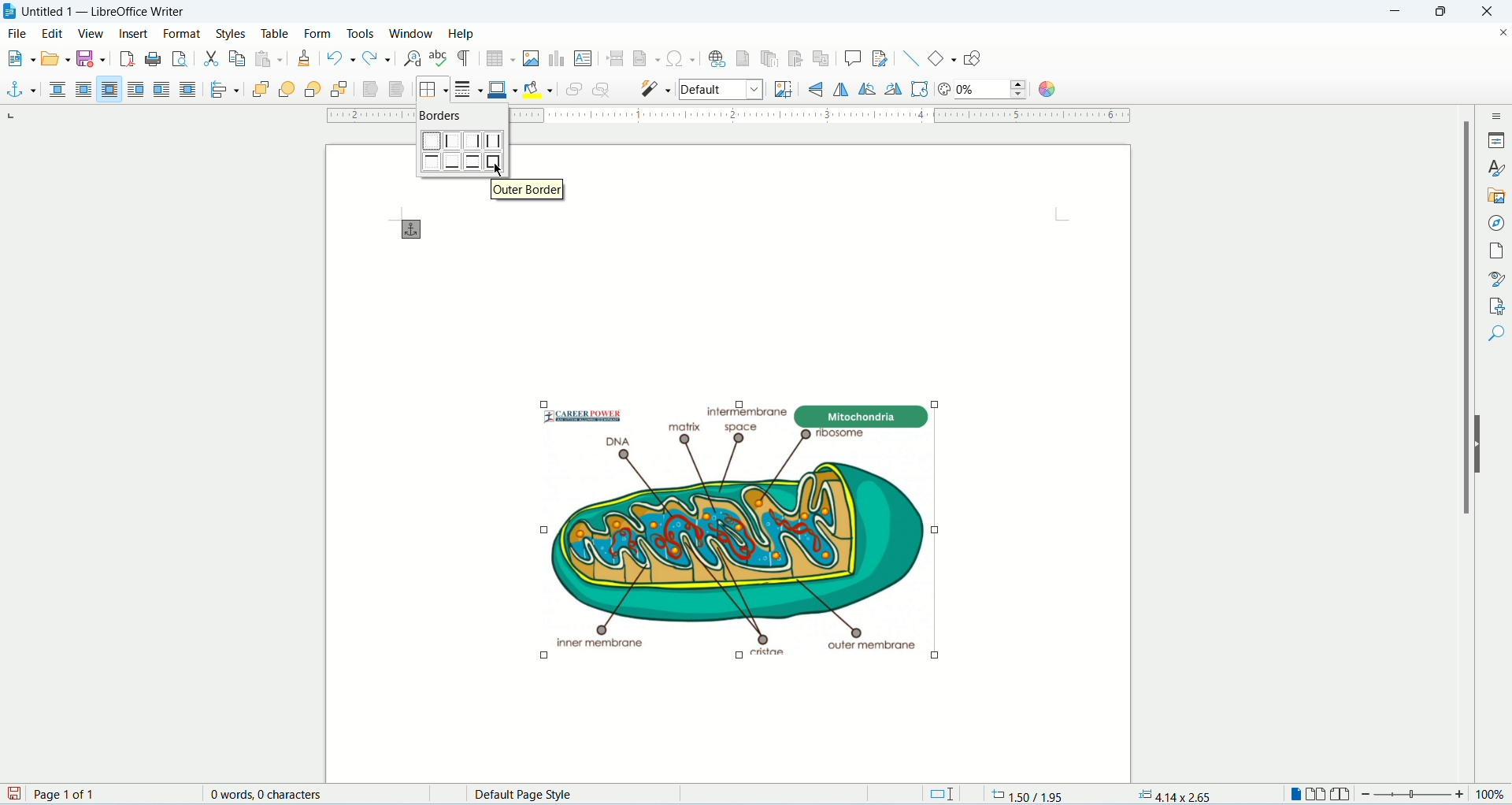 The width and height of the screenshot is (1512, 805). Describe the element at coordinates (412, 33) in the screenshot. I see `window` at that location.